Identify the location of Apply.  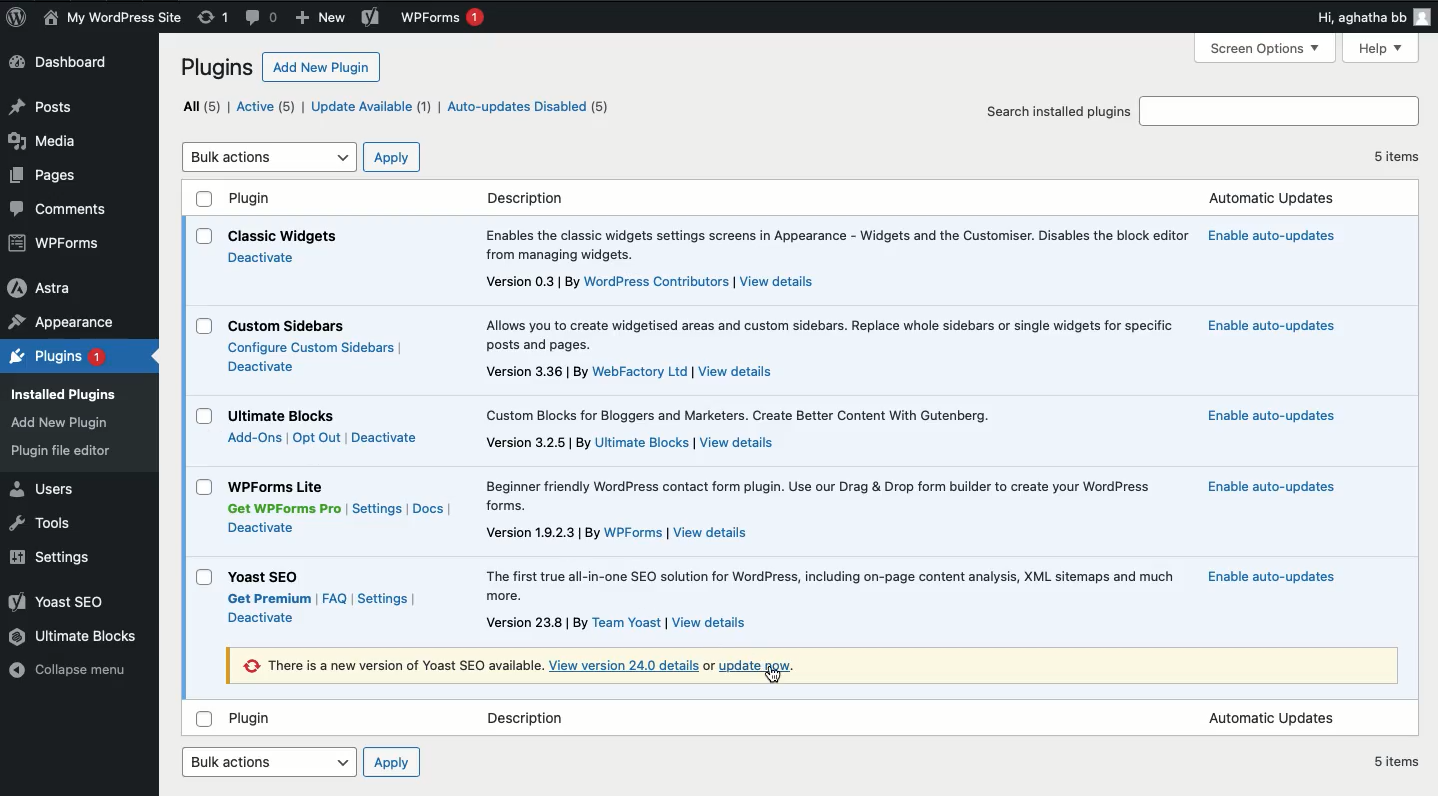
(393, 158).